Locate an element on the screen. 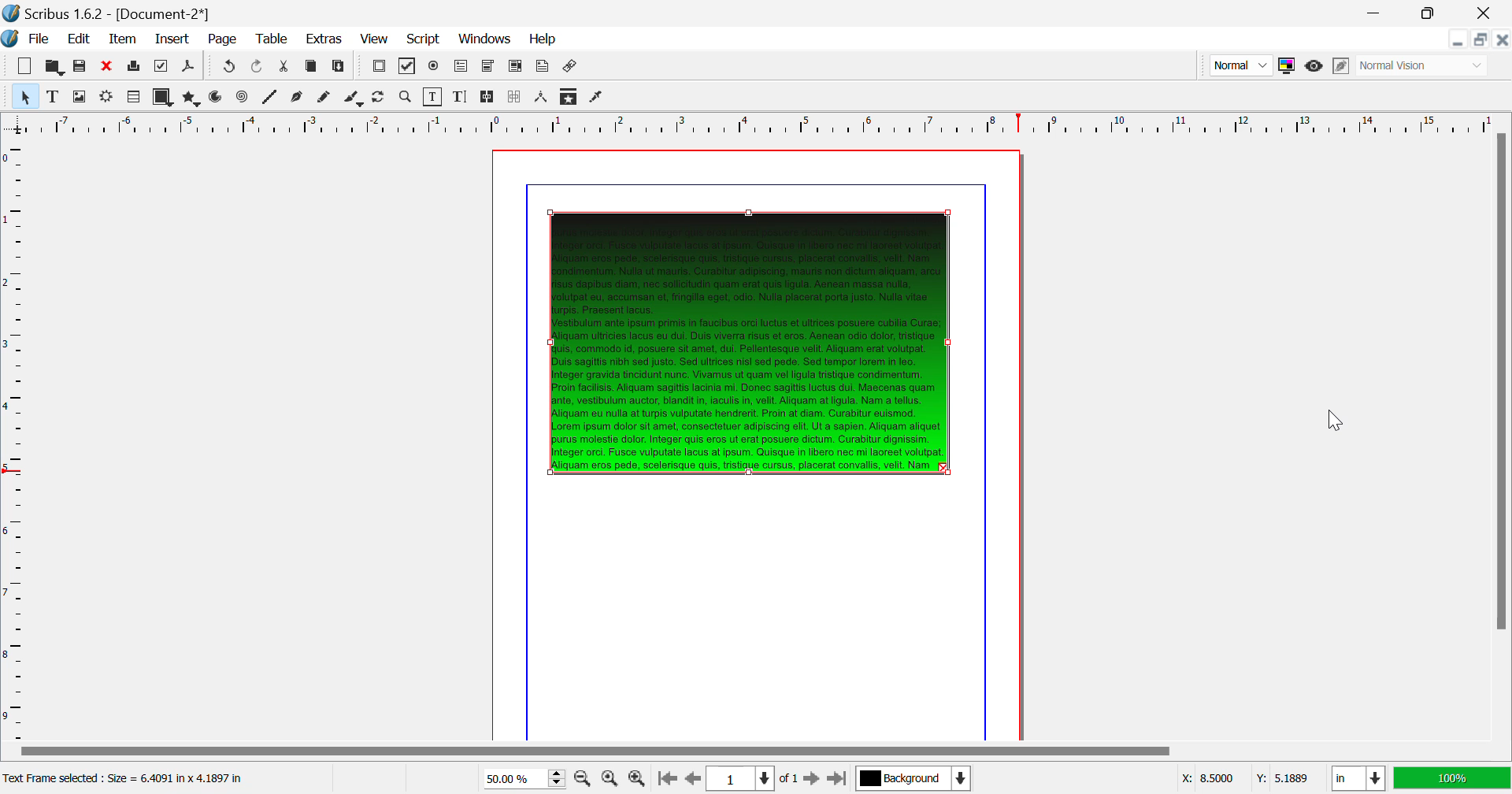  Toggle Color Management is located at coordinates (1286, 65).